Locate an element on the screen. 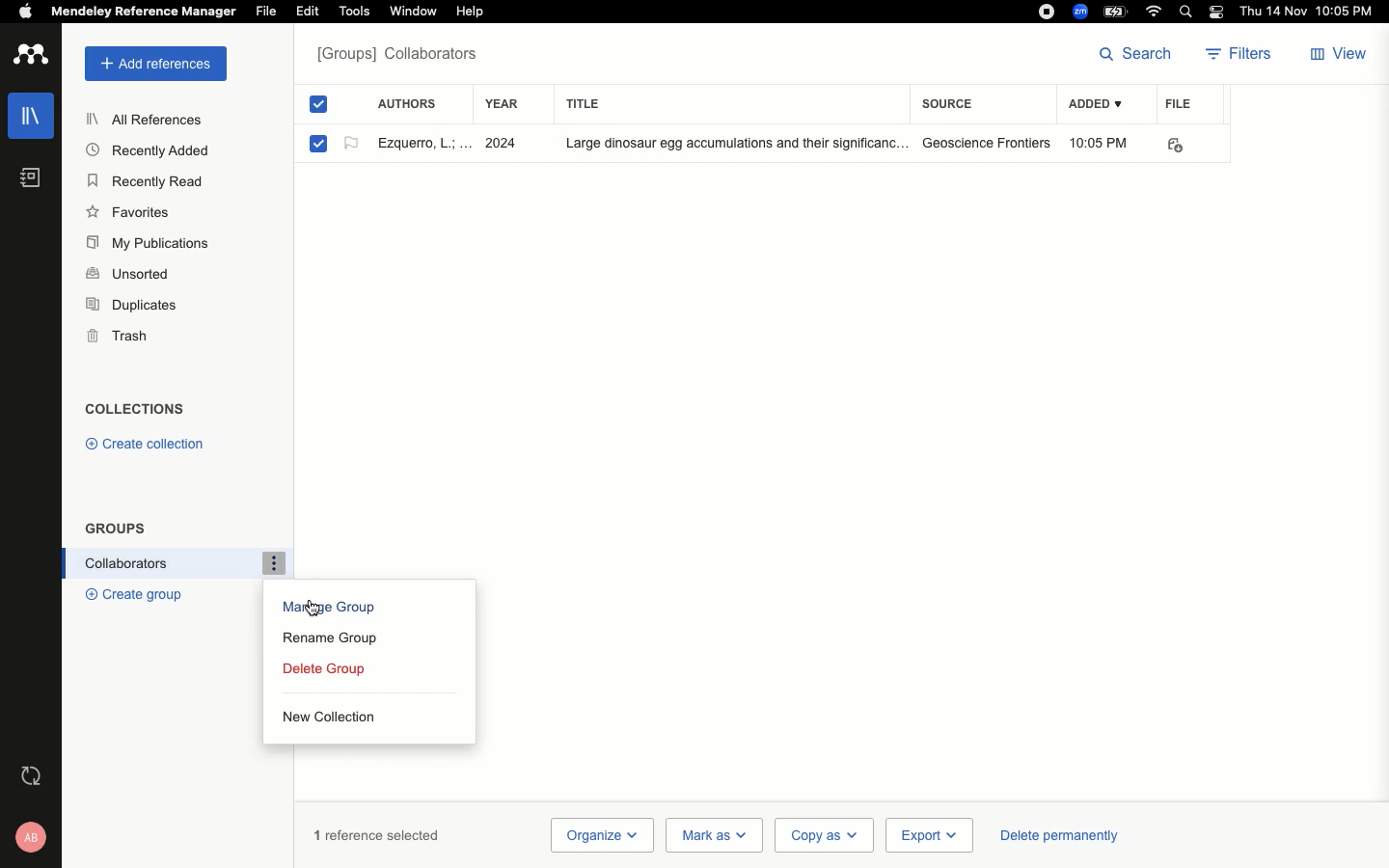  Groups is located at coordinates (117, 528).